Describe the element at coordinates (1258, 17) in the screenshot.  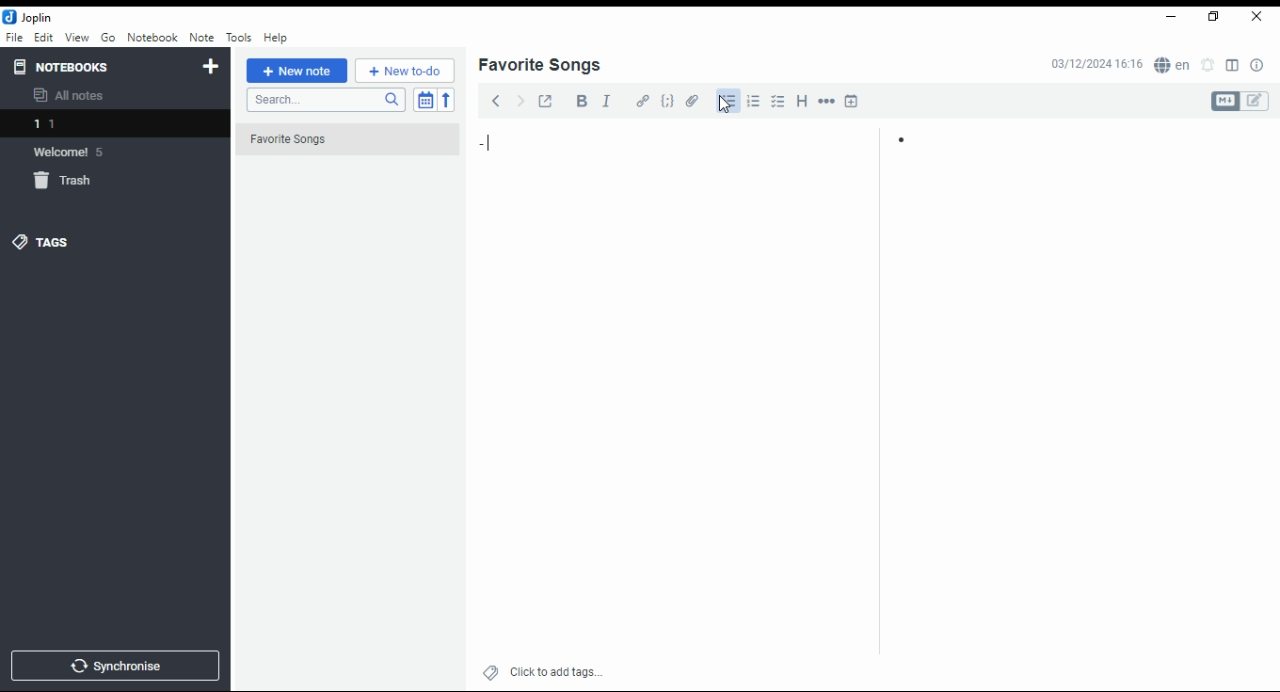
I see `close window` at that location.